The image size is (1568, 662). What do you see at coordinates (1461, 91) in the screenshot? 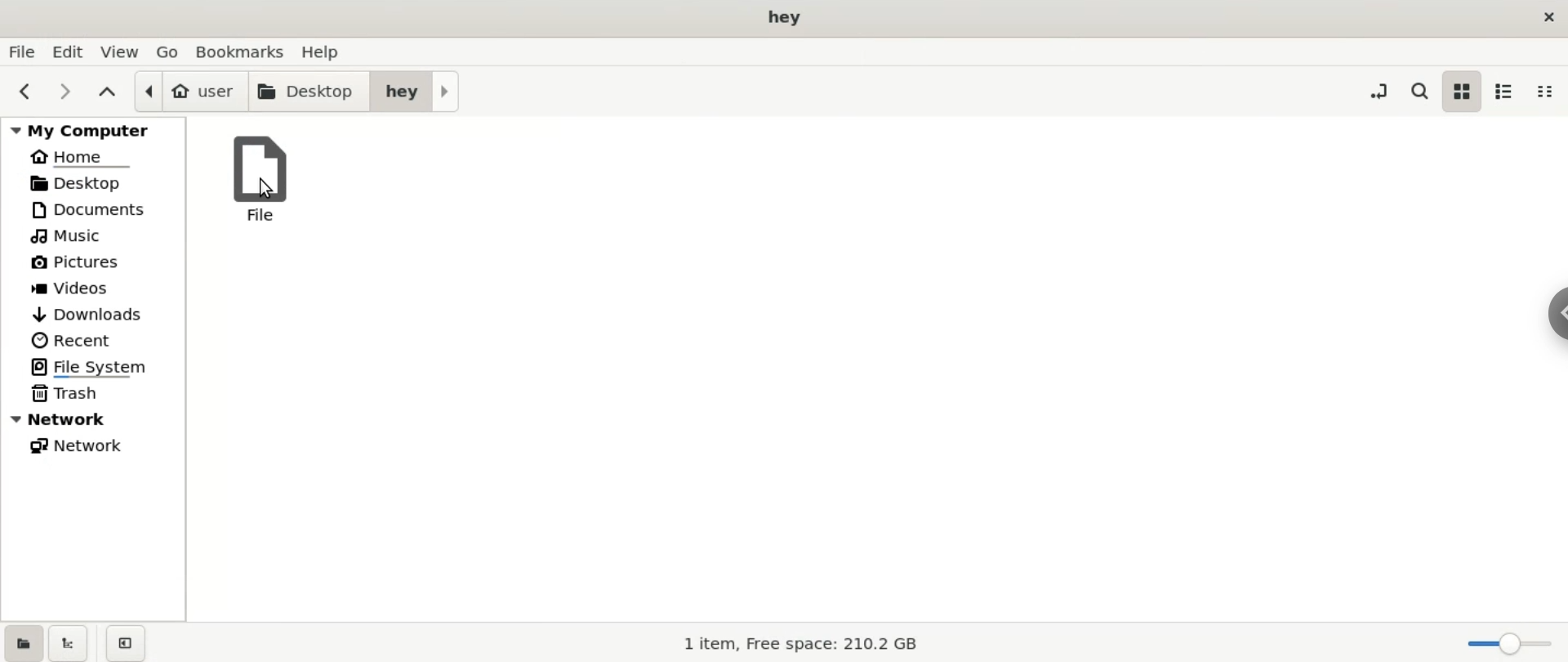
I see `icon view` at bounding box center [1461, 91].